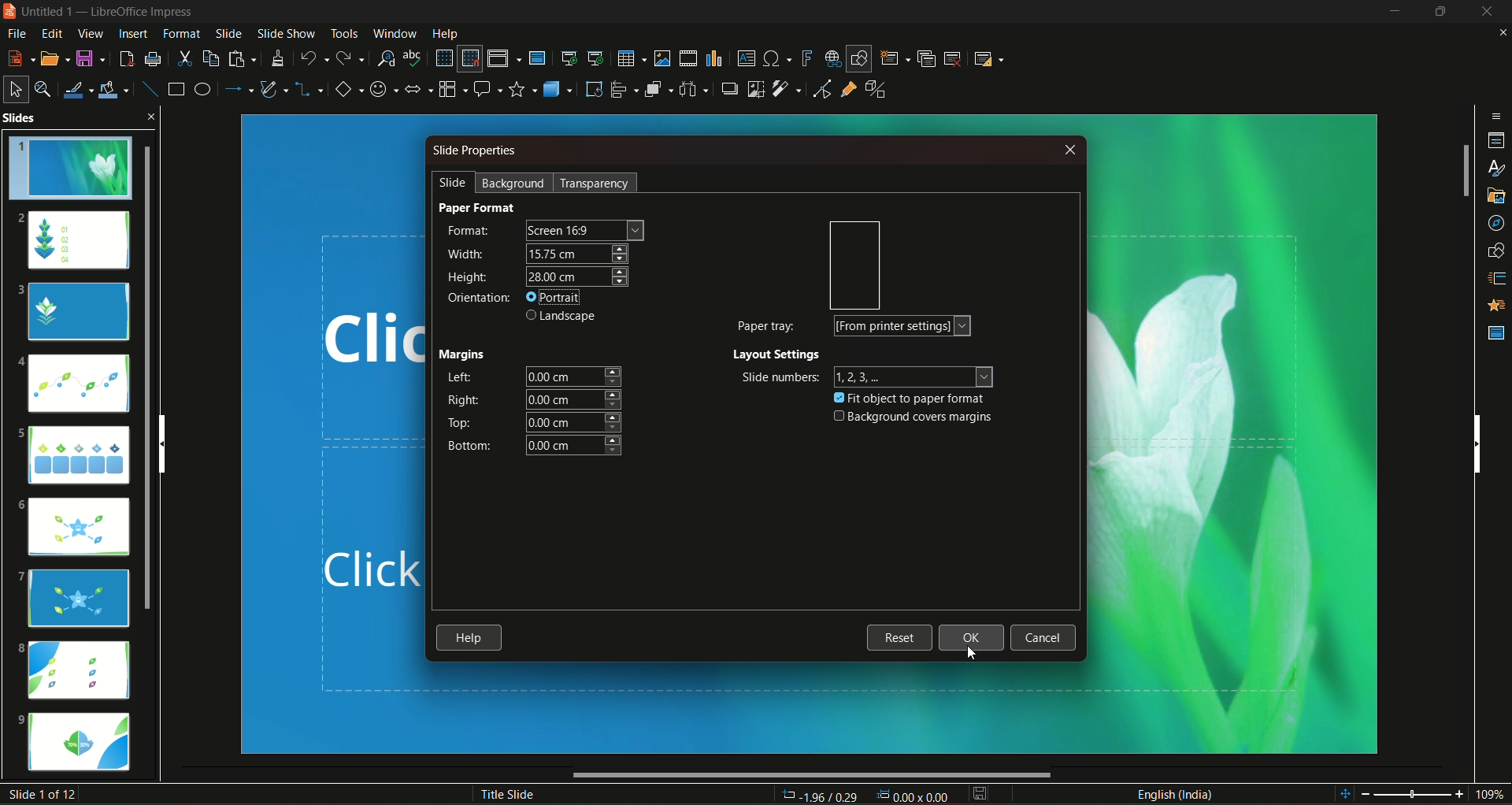  Describe the element at coordinates (776, 58) in the screenshot. I see `insert special character` at that location.